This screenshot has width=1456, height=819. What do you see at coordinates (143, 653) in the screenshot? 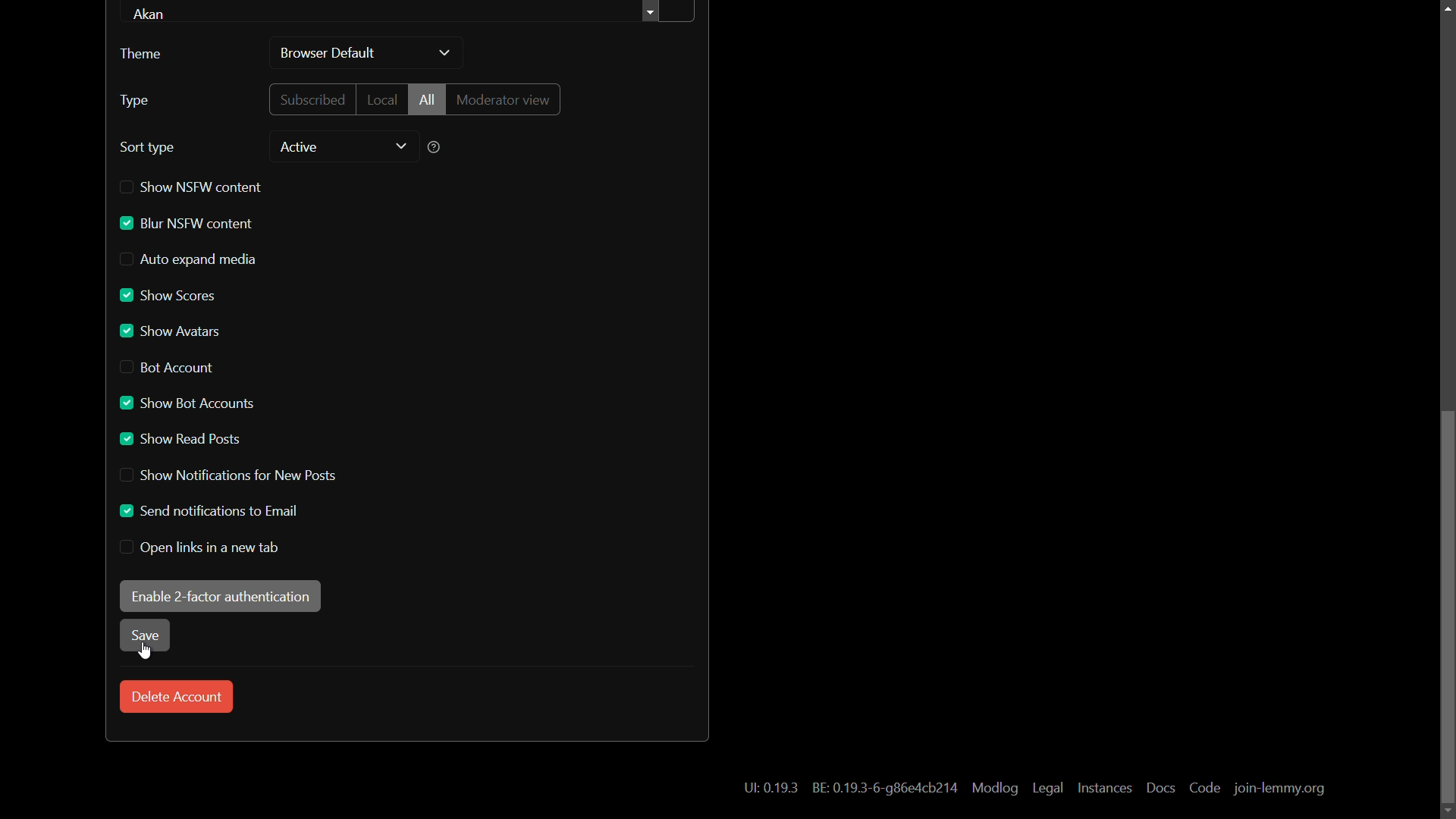
I see `cursor` at bounding box center [143, 653].